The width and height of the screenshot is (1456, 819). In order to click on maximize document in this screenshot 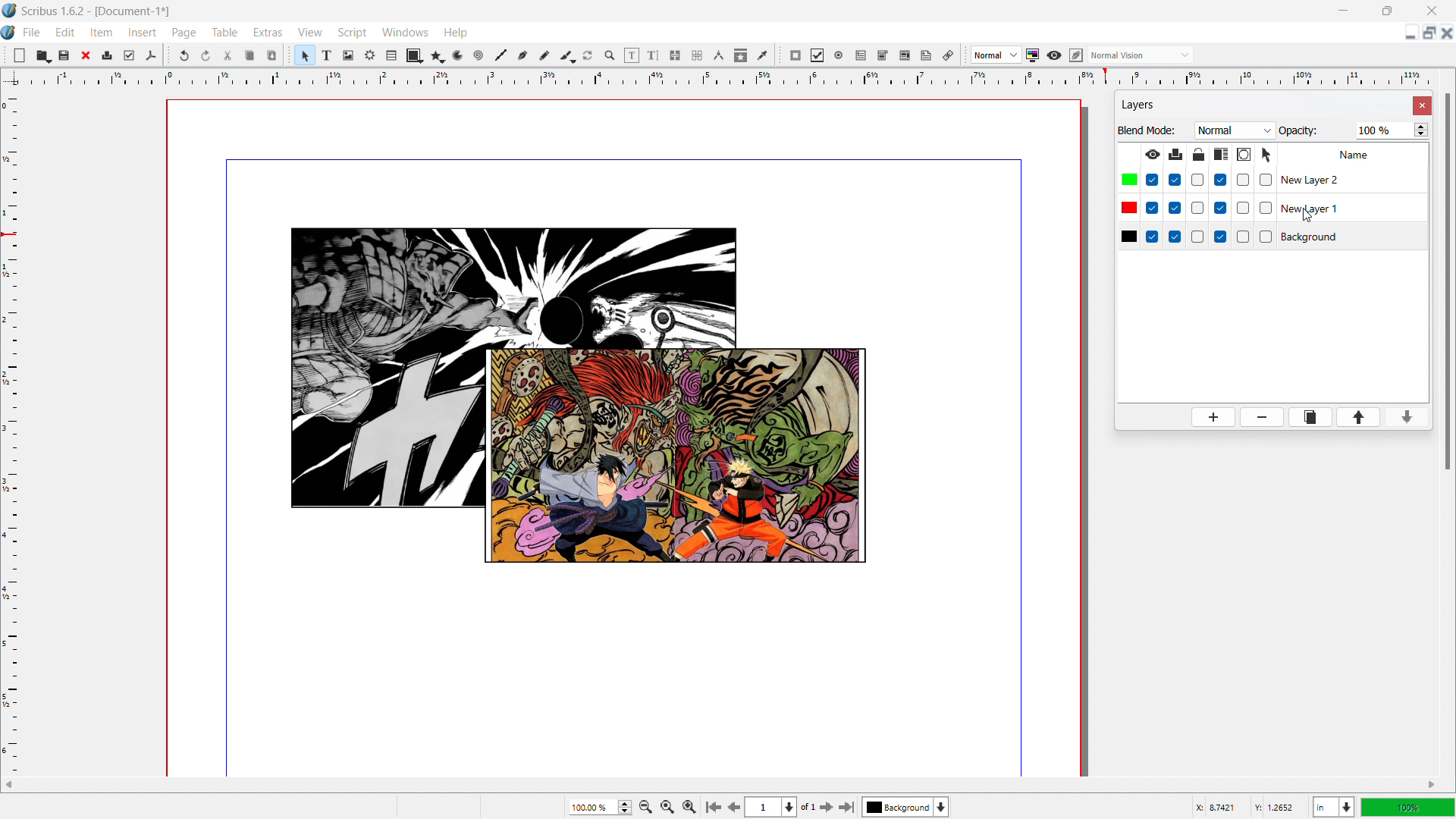, I will do `click(1427, 32)`.